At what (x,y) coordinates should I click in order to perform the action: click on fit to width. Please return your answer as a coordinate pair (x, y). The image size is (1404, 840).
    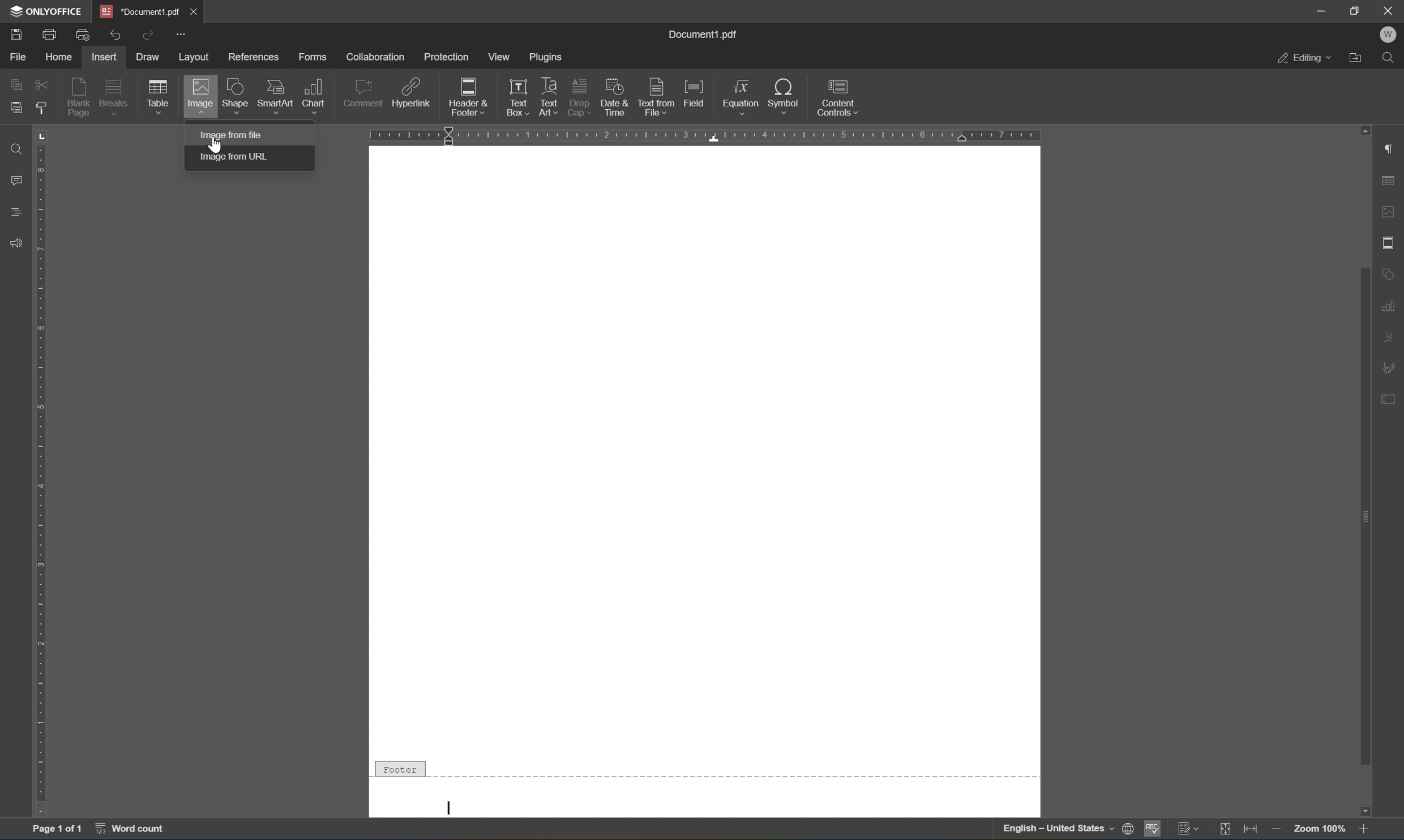
    Looking at the image, I should click on (1251, 830).